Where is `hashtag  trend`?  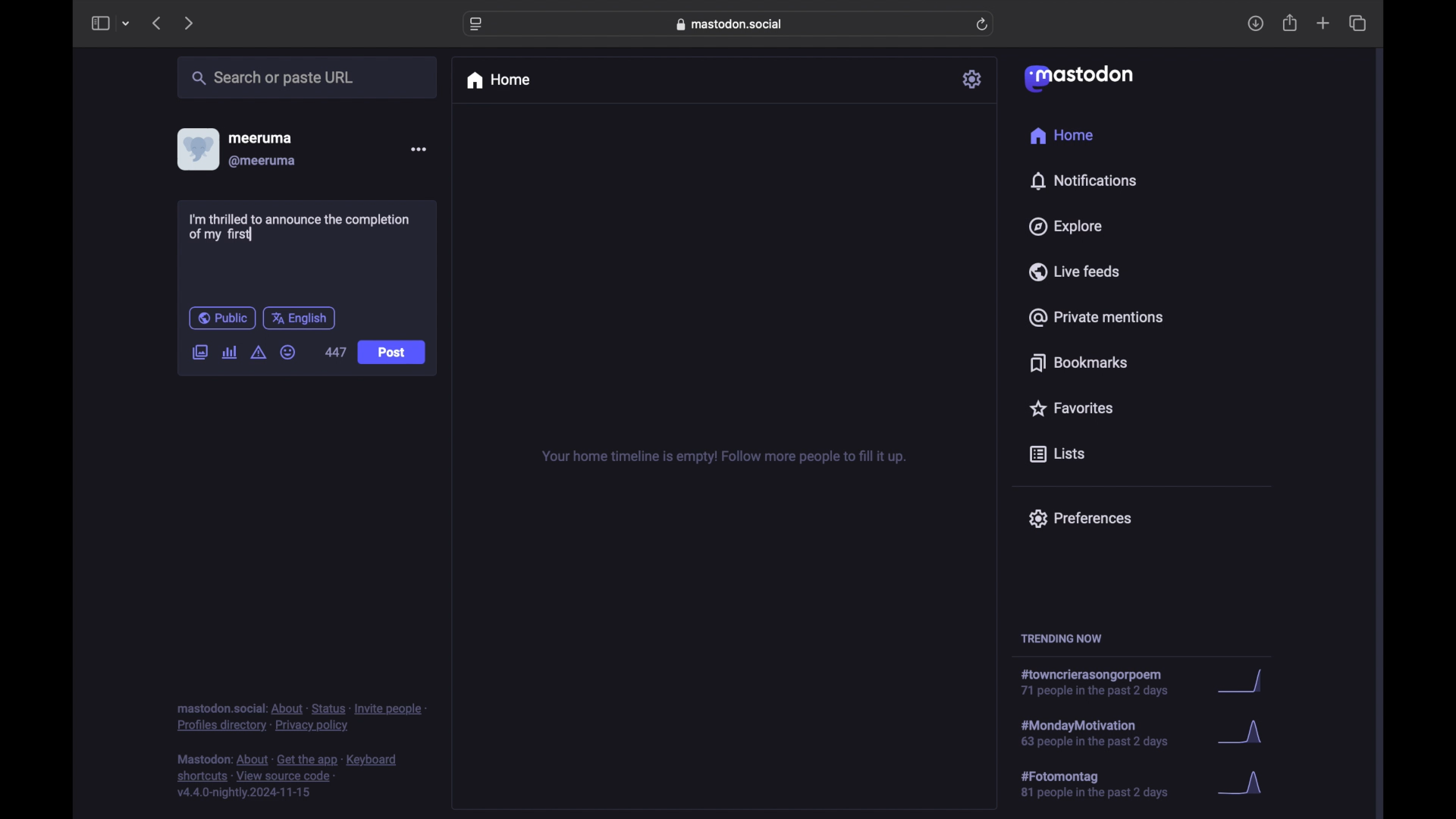
hashtag  trend is located at coordinates (1109, 732).